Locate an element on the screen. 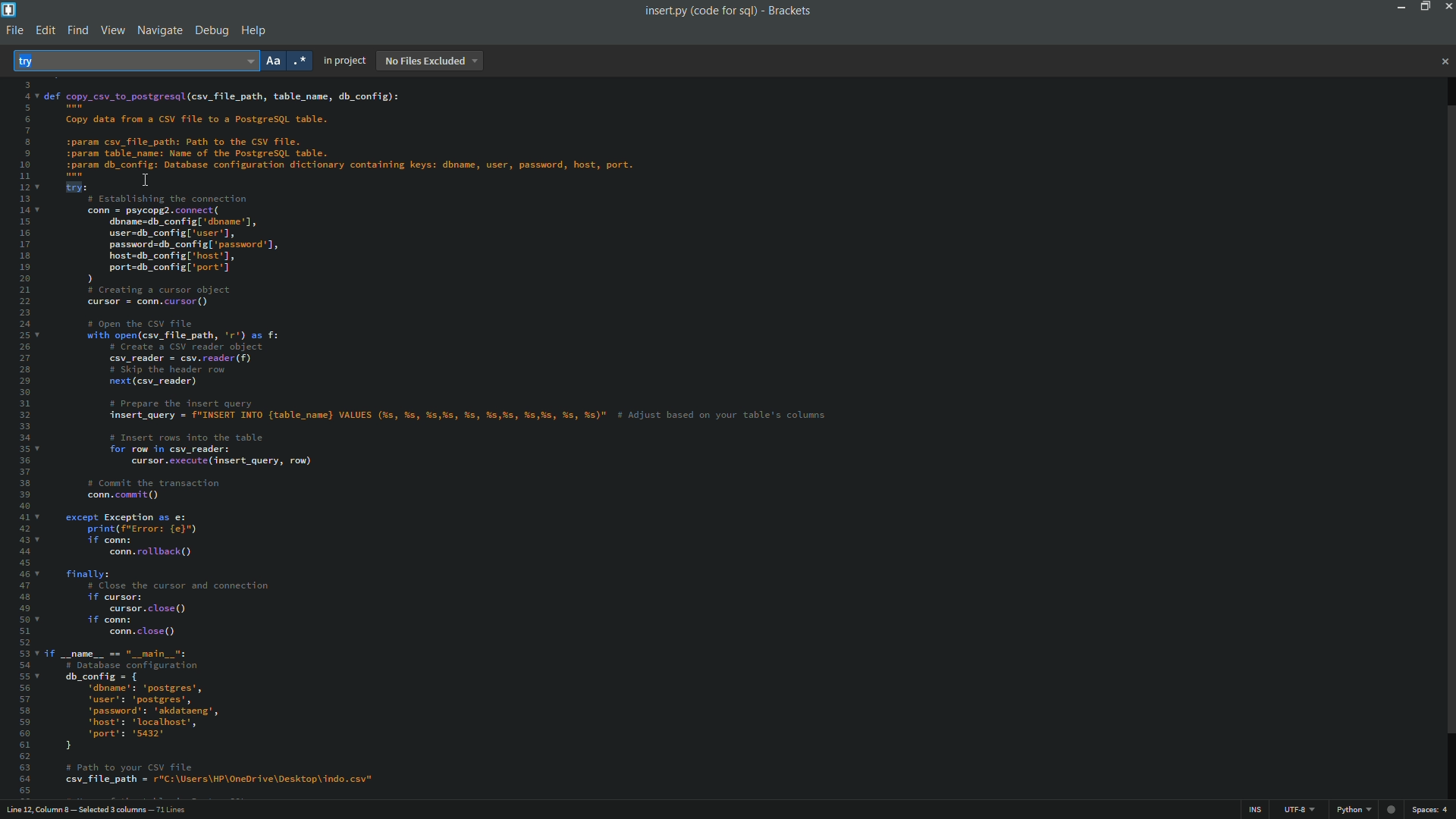 The image size is (1456, 819). ins is located at coordinates (1258, 812).